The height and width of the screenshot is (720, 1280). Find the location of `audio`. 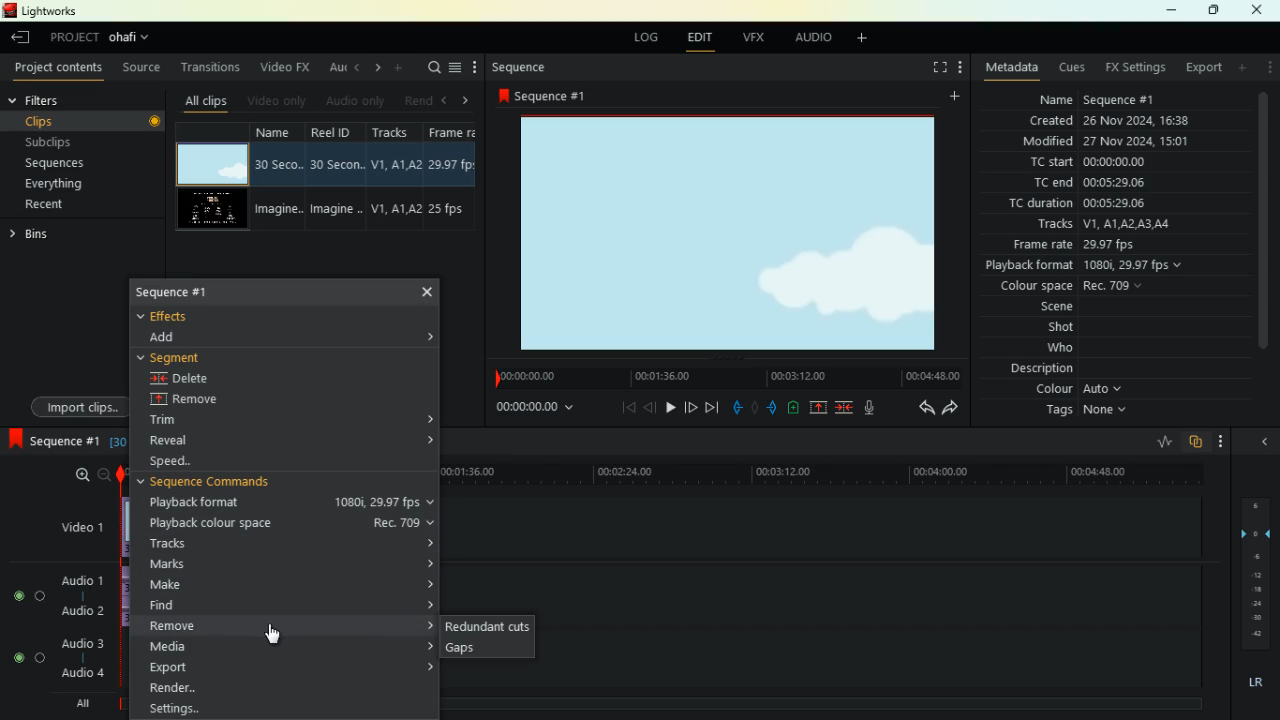

audio is located at coordinates (808, 37).